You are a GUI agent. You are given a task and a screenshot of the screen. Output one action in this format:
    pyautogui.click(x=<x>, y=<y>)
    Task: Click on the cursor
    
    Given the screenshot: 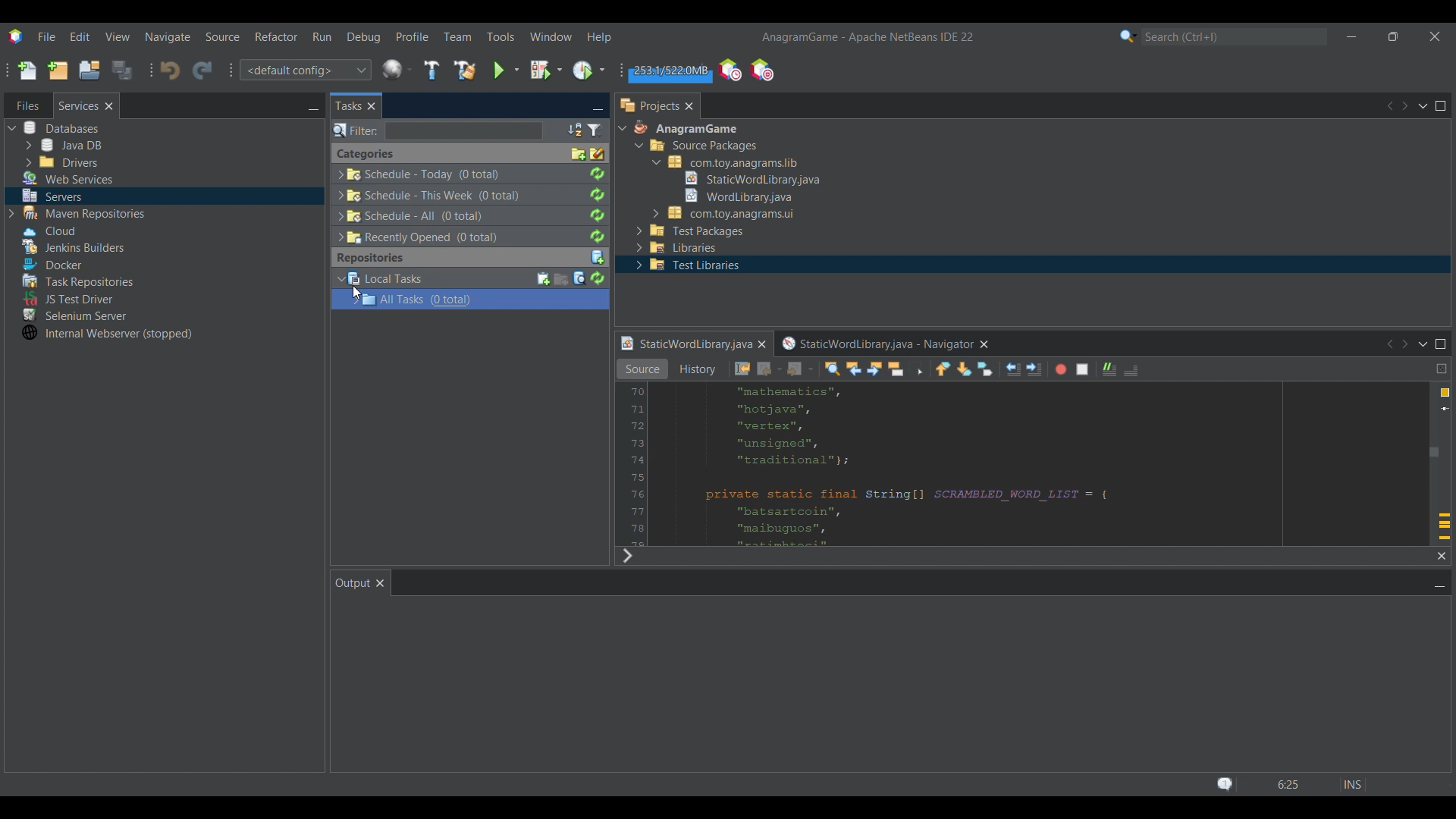 What is the action you would take?
    pyautogui.click(x=356, y=292)
    